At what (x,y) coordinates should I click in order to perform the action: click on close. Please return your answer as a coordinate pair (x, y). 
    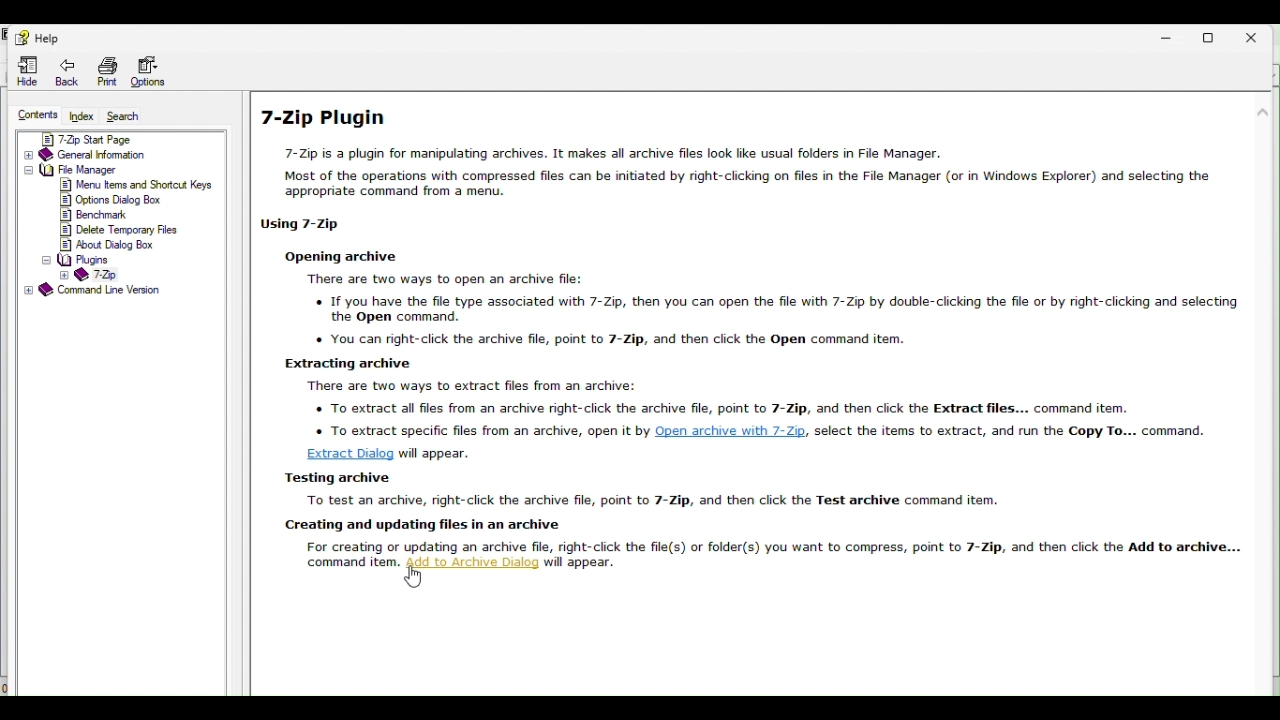
    Looking at the image, I should click on (1258, 33).